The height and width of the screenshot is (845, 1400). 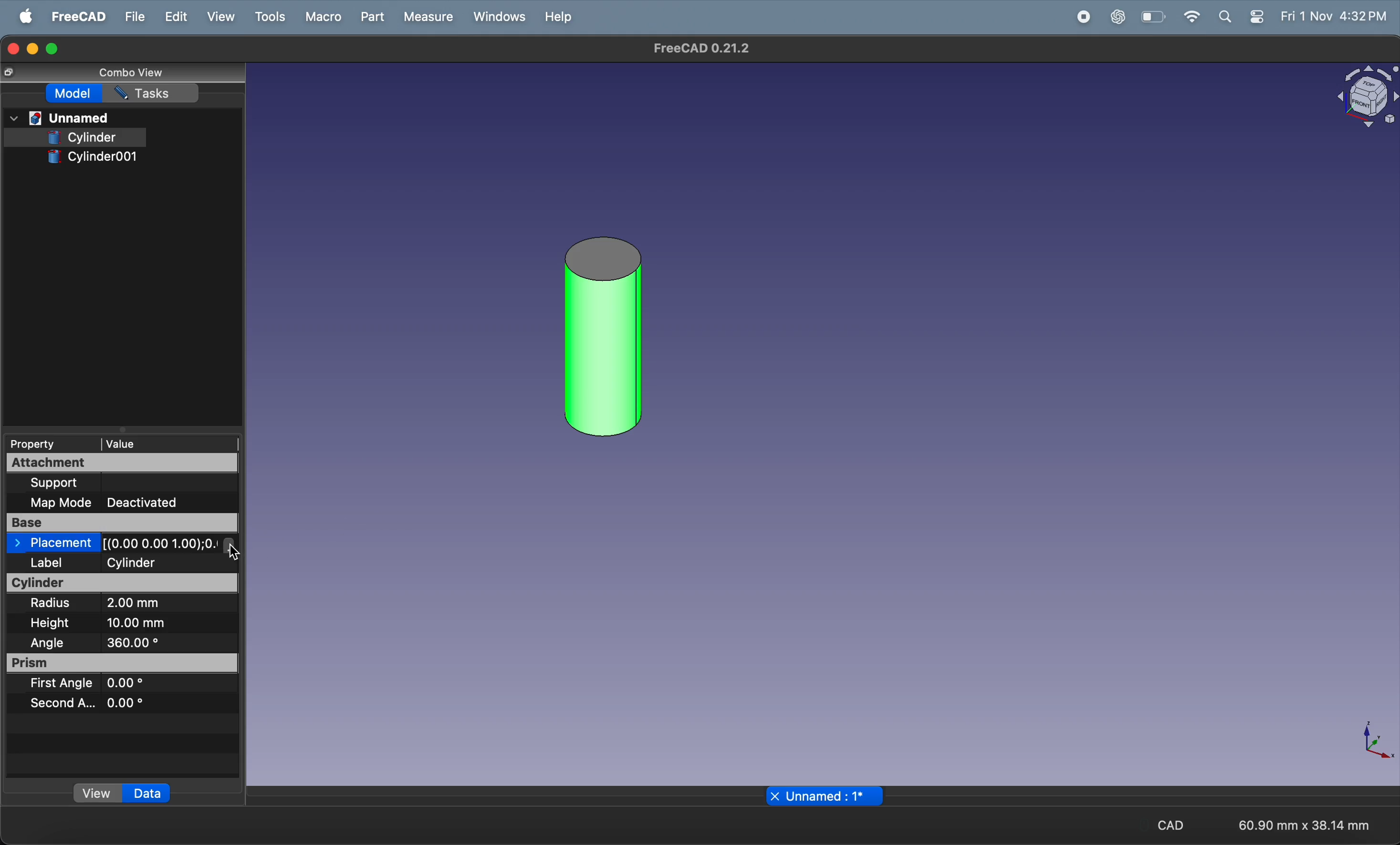 What do you see at coordinates (52, 624) in the screenshot?
I see `height` at bounding box center [52, 624].